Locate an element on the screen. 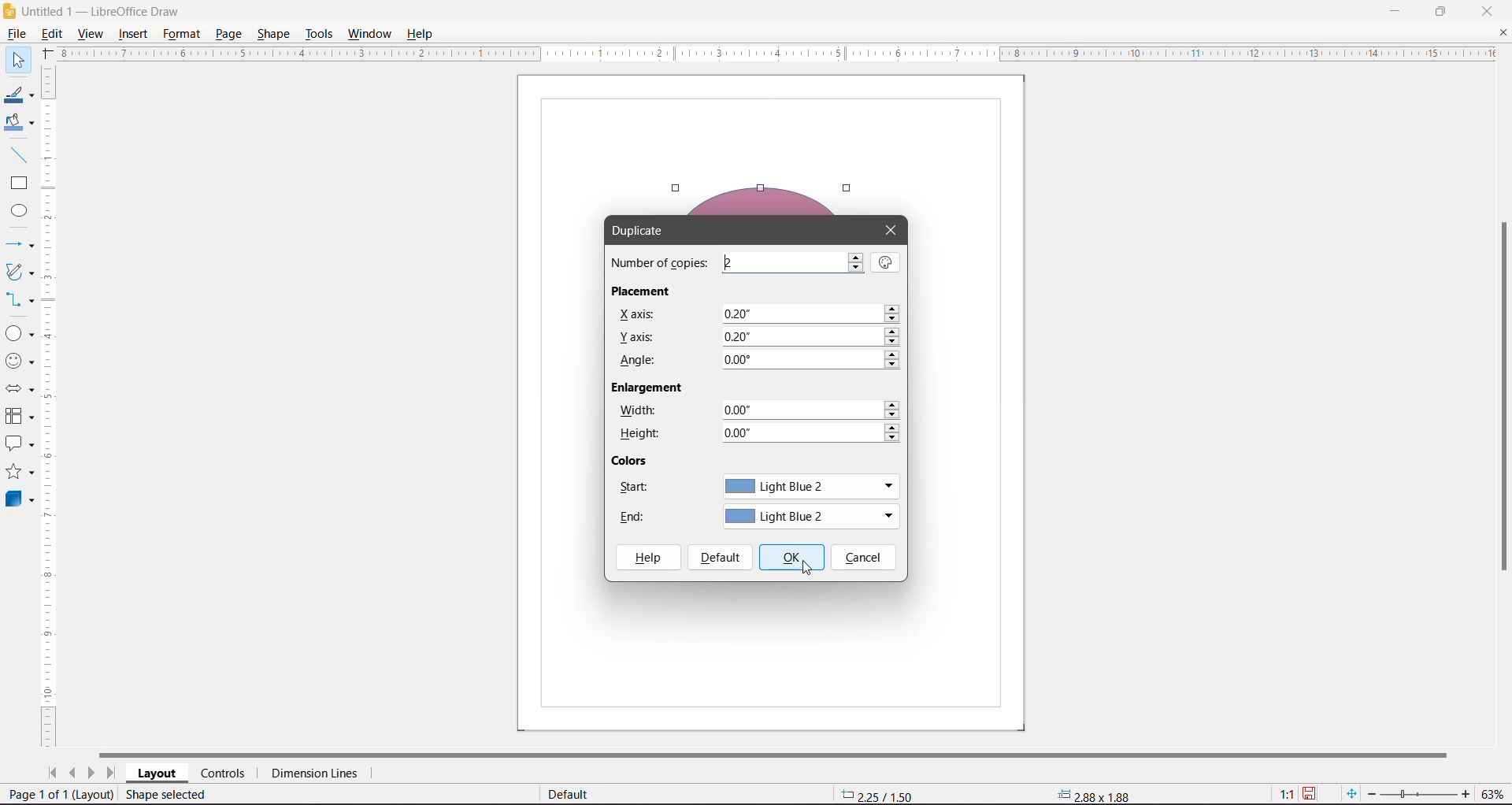 The height and width of the screenshot is (805, 1512). Close Document is located at coordinates (1503, 33).